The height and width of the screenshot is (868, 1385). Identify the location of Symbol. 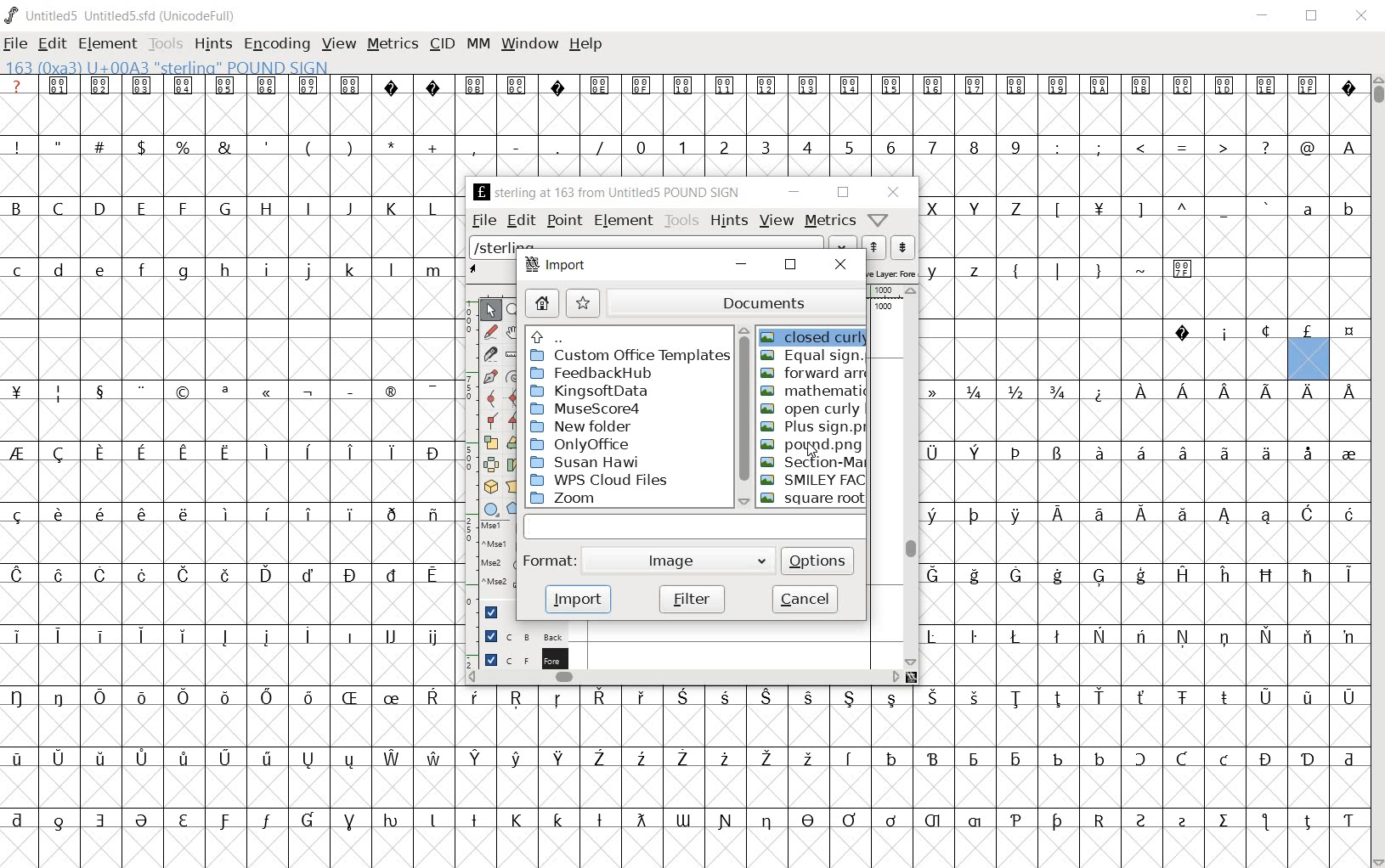
(139, 514).